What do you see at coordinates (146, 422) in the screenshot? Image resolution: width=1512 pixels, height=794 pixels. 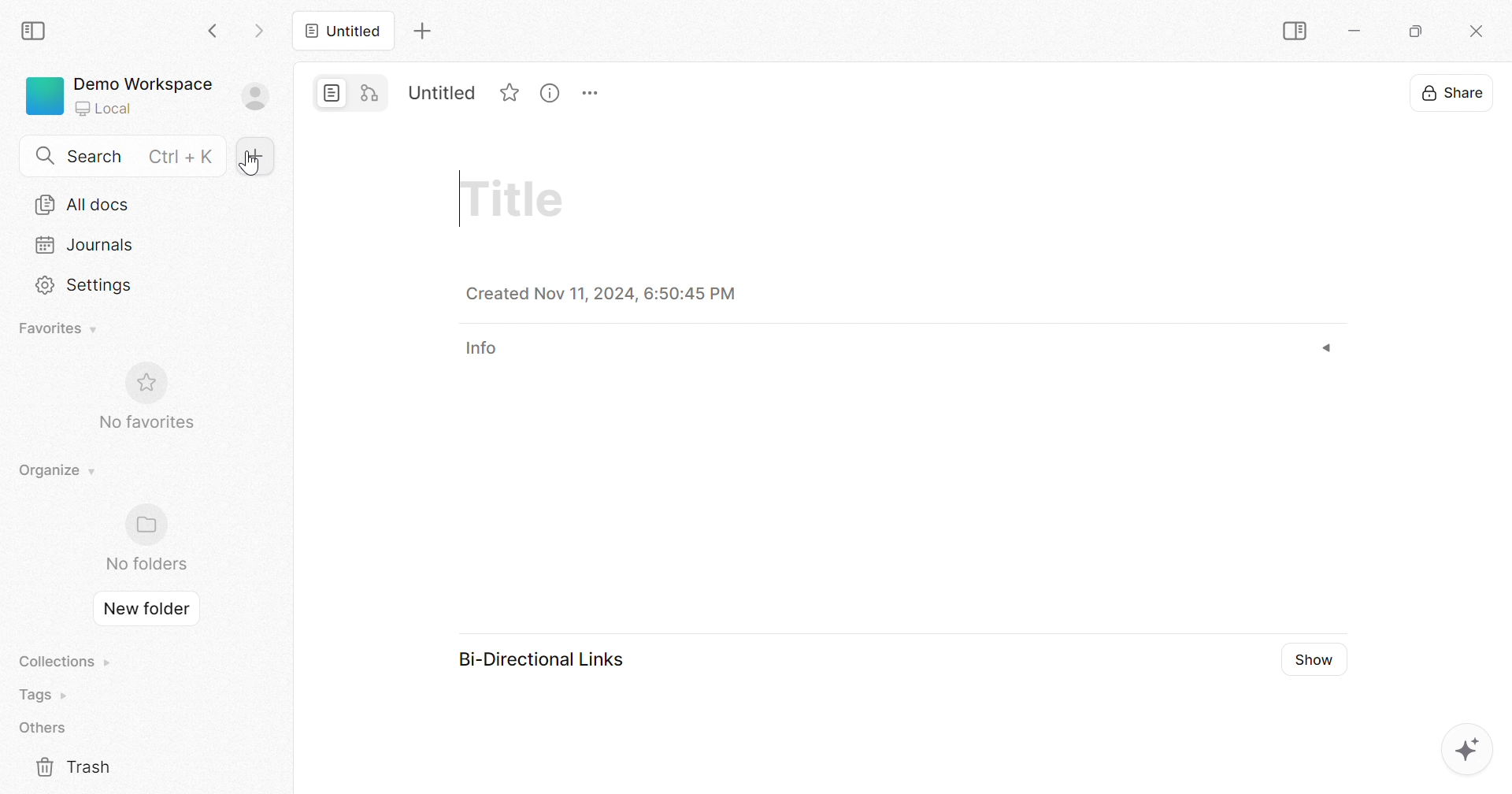 I see `No favorites` at bounding box center [146, 422].